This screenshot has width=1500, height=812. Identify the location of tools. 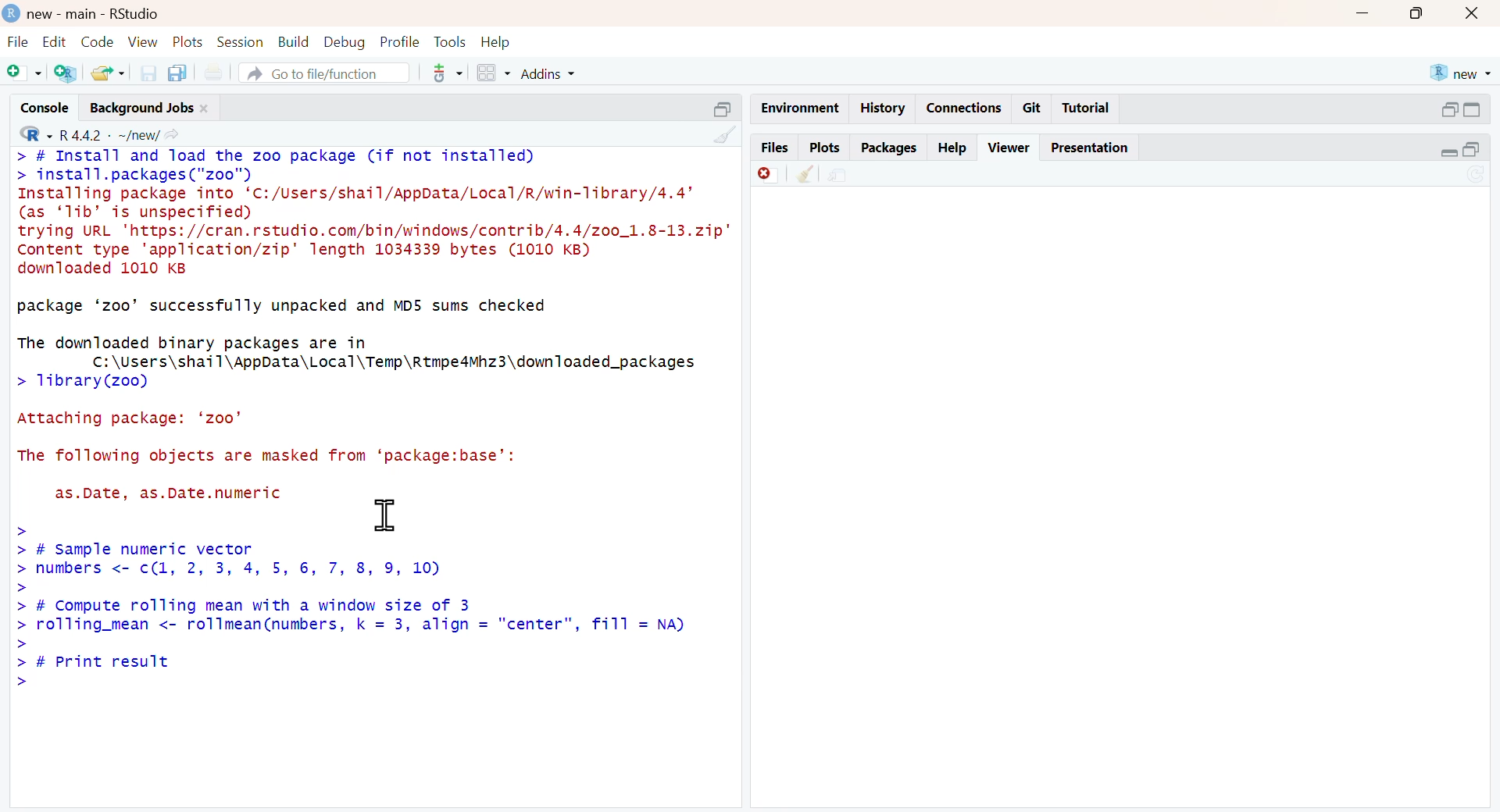
(452, 44).